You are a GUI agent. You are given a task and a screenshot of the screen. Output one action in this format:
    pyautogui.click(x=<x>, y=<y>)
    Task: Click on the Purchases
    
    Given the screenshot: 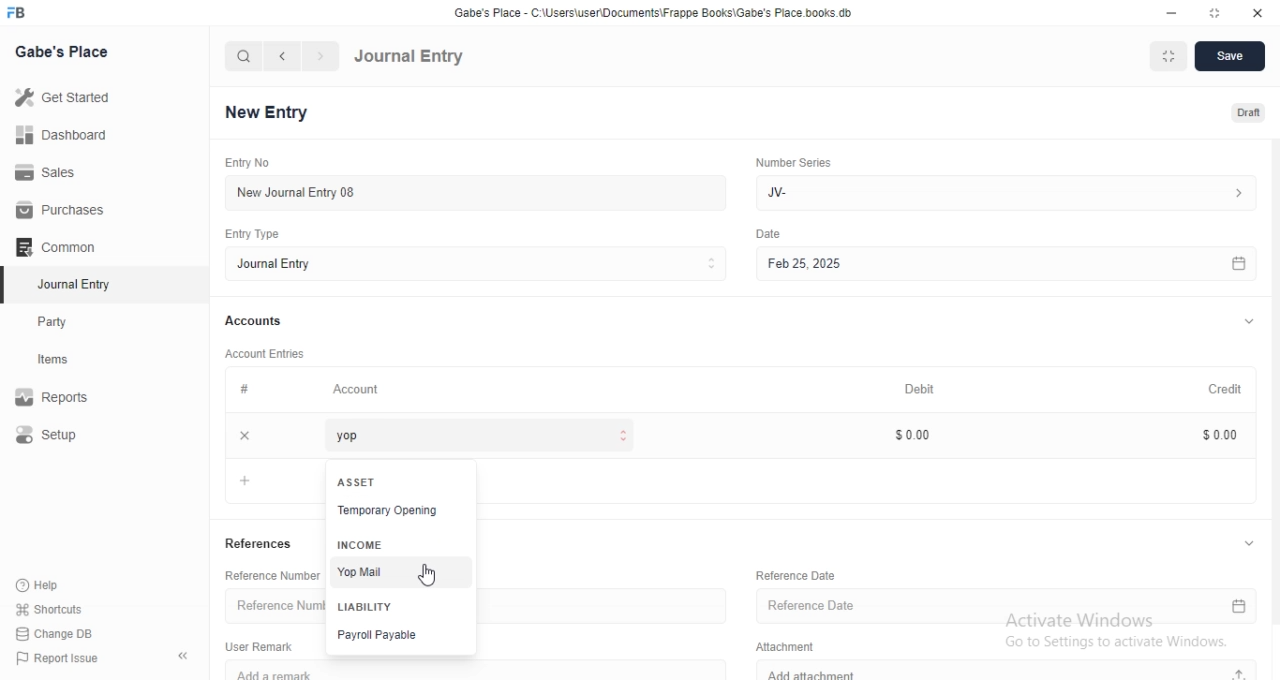 What is the action you would take?
    pyautogui.click(x=58, y=210)
    